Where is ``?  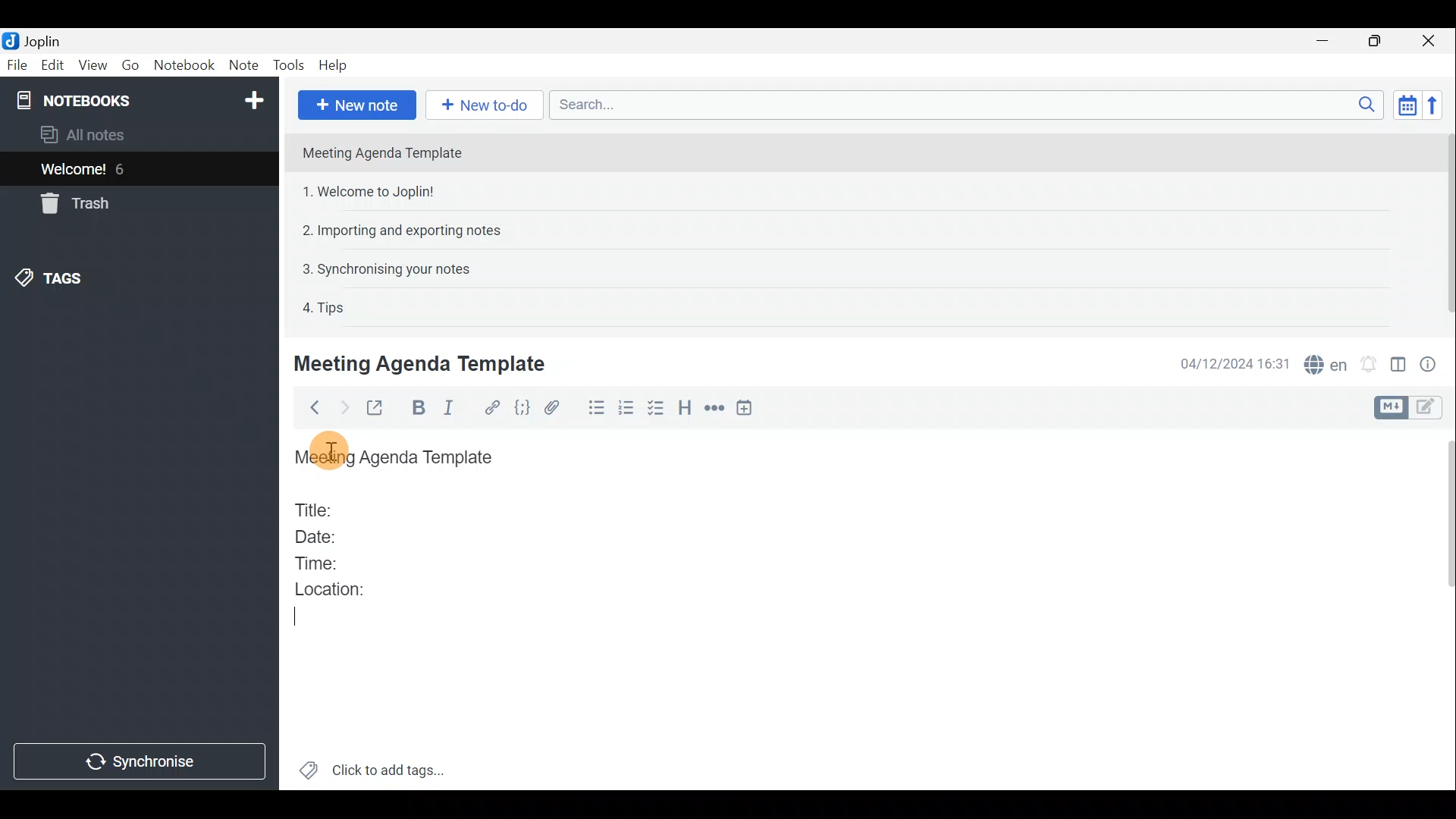
 is located at coordinates (331, 449).